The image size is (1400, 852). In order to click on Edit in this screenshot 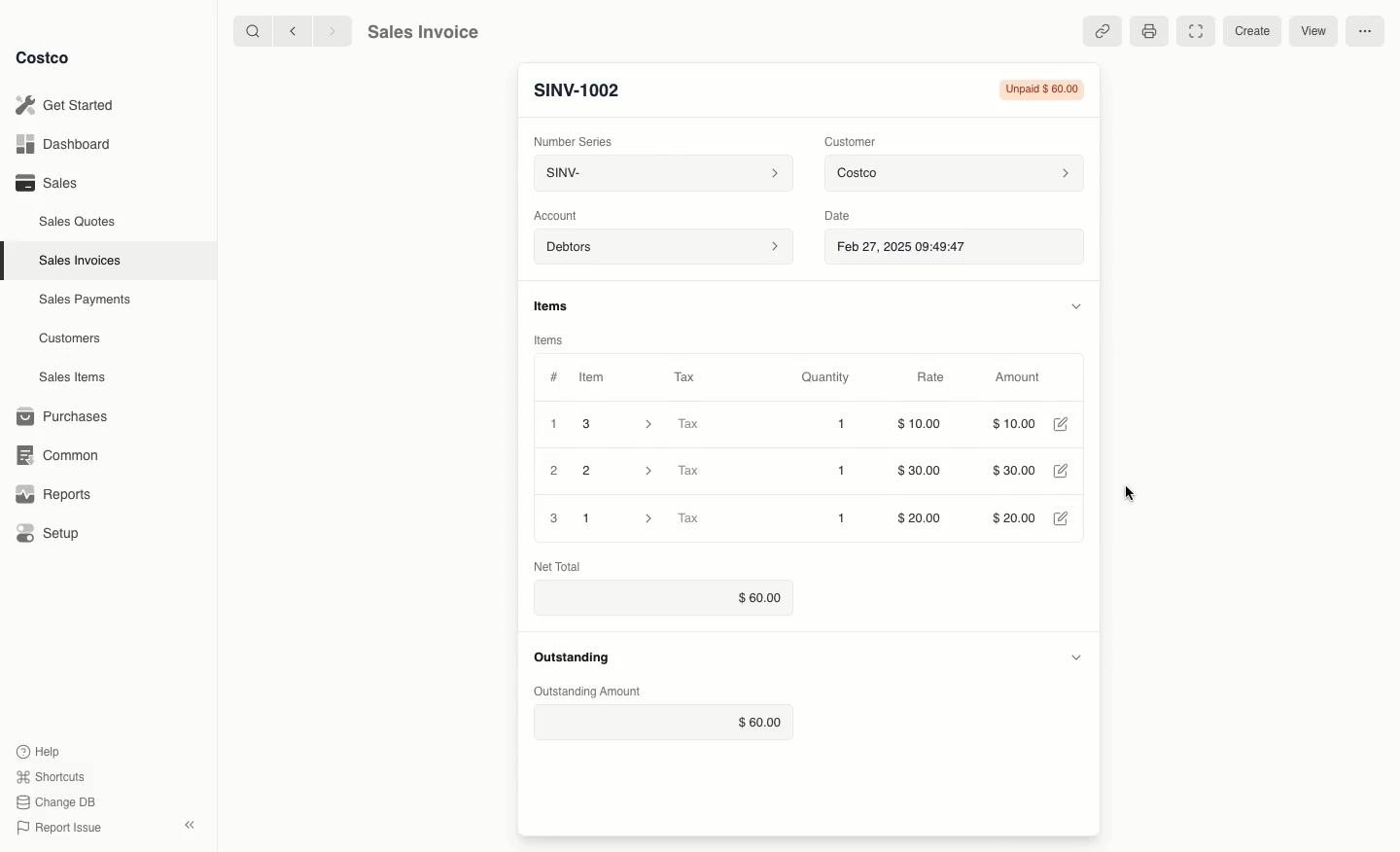, I will do `click(1057, 472)`.